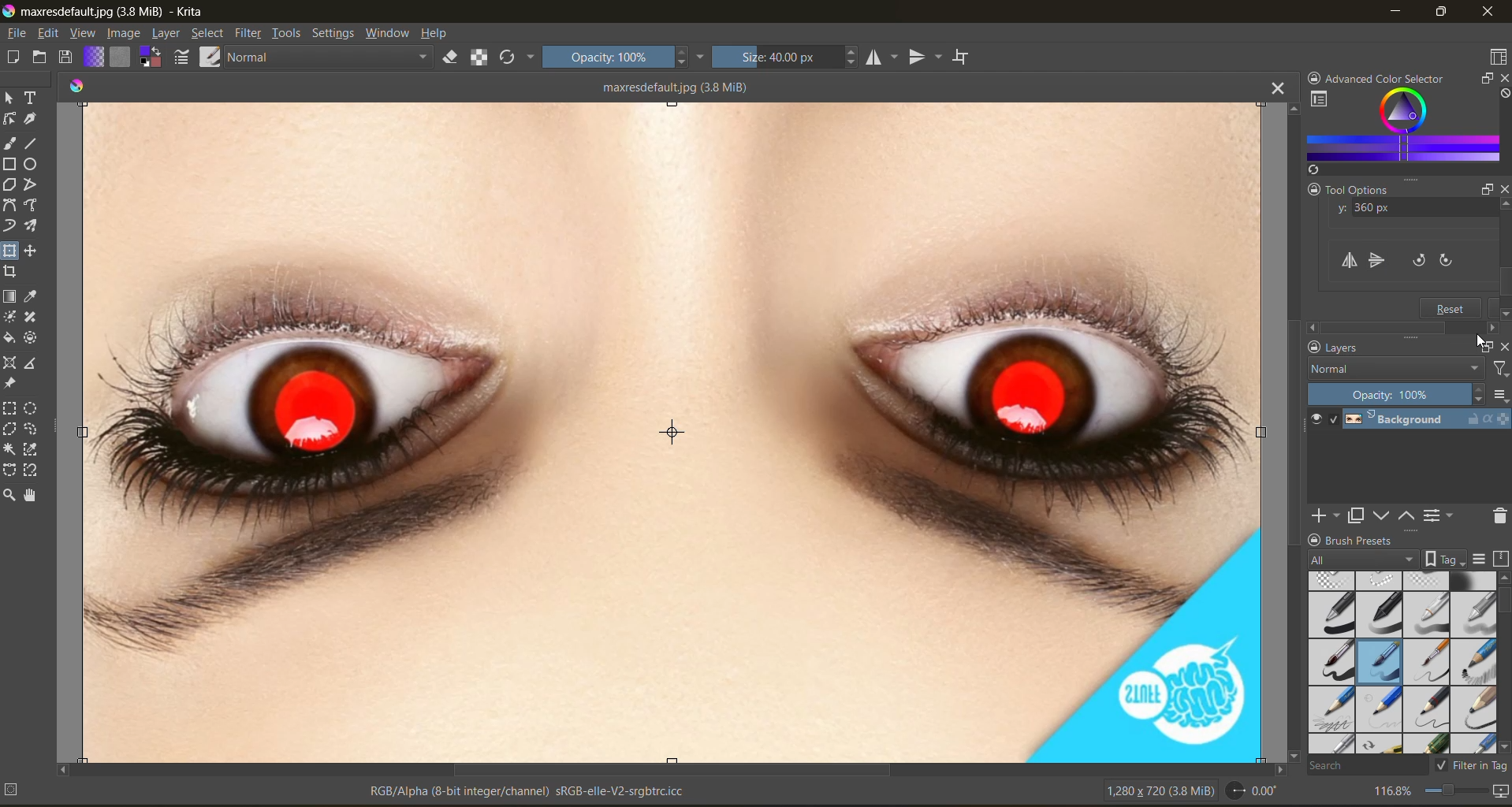 Image resolution: width=1512 pixels, height=807 pixels. What do you see at coordinates (670, 432) in the screenshot?
I see `vertically flipped canvas` at bounding box center [670, 432].